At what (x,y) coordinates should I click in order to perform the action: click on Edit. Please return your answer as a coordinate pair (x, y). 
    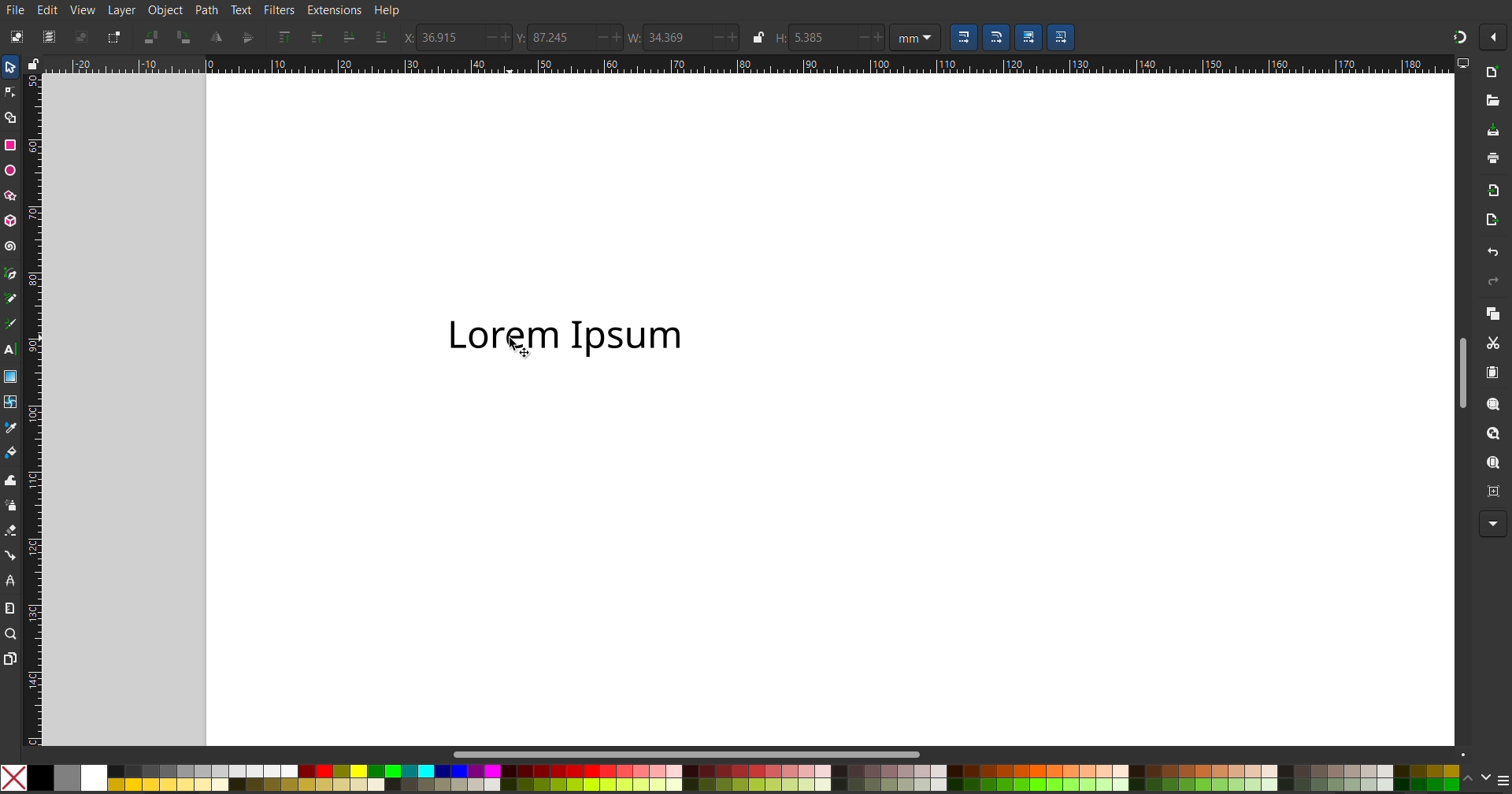
    Looking at the image, I should click on (46, 9).